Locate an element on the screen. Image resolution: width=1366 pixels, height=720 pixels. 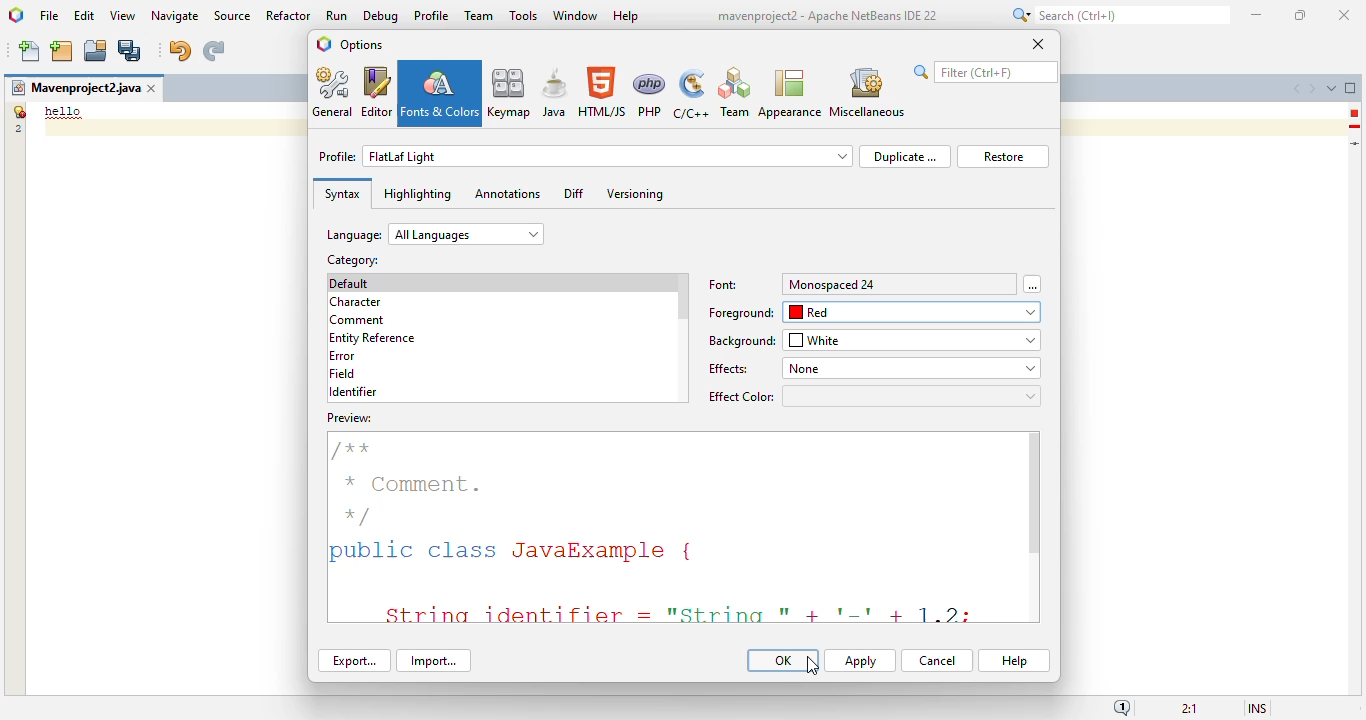
white is located at coordinates (913, 340).